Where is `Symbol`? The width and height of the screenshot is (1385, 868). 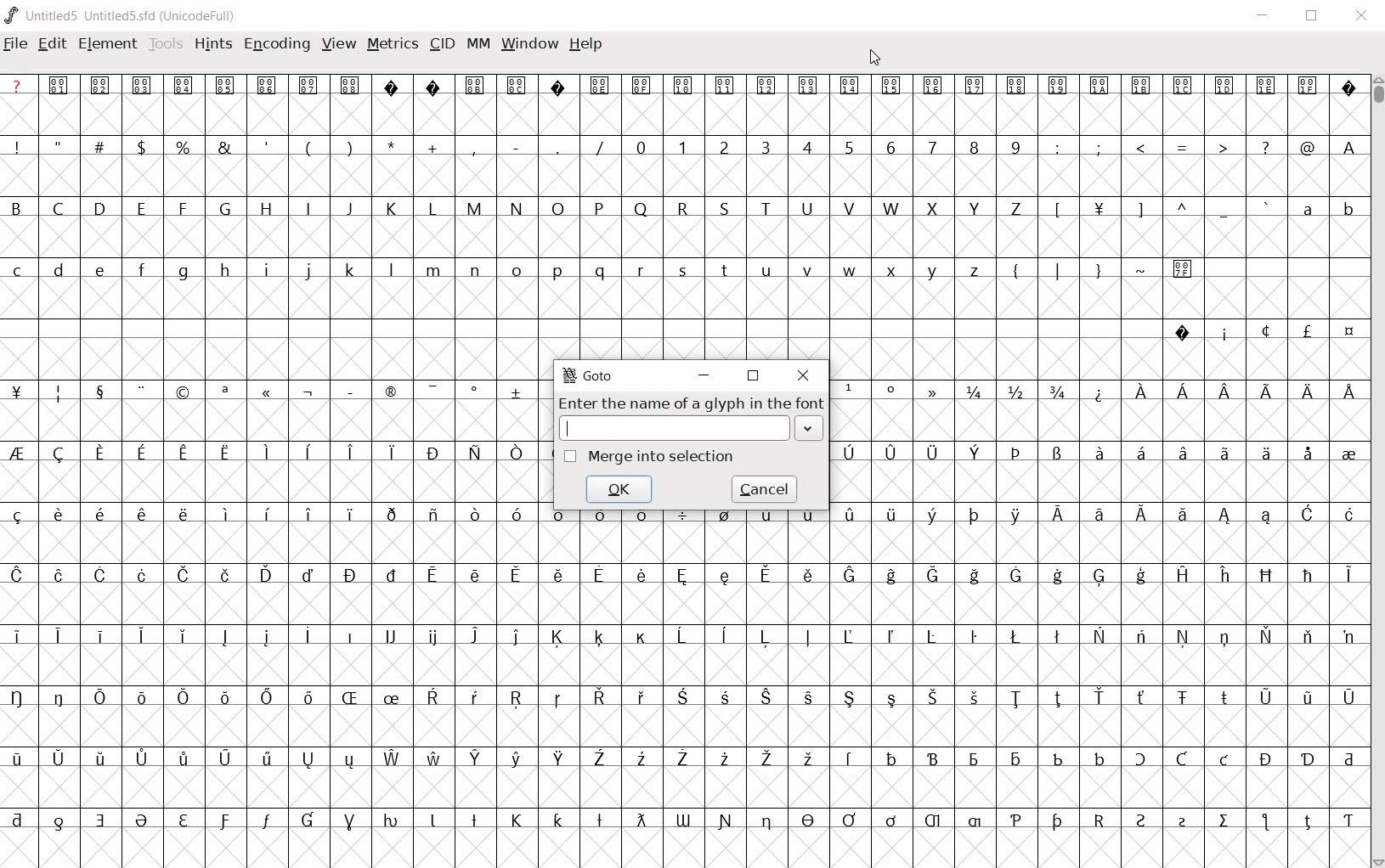
Symbol is located at coordinates (724, 759).